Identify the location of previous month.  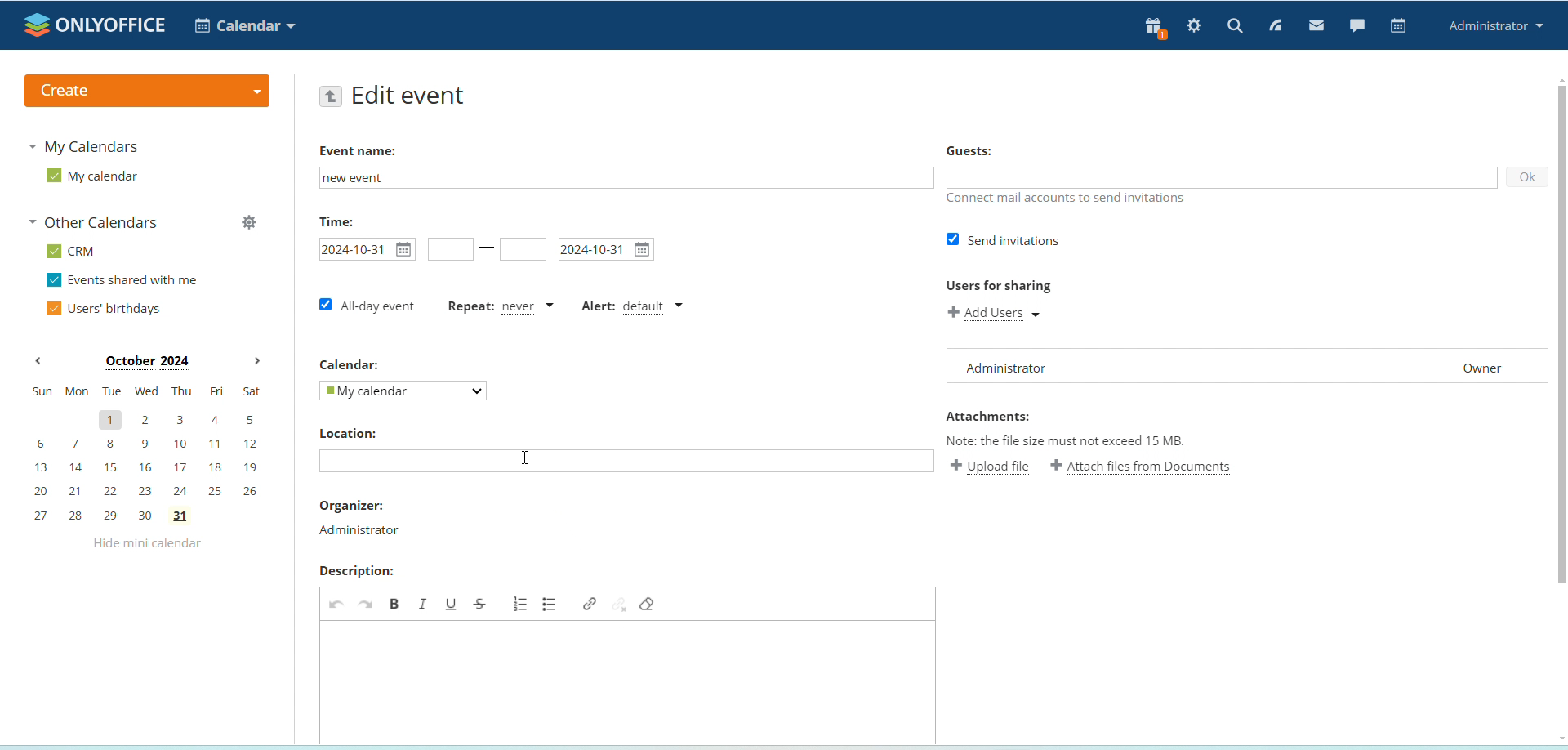
(38, 362).